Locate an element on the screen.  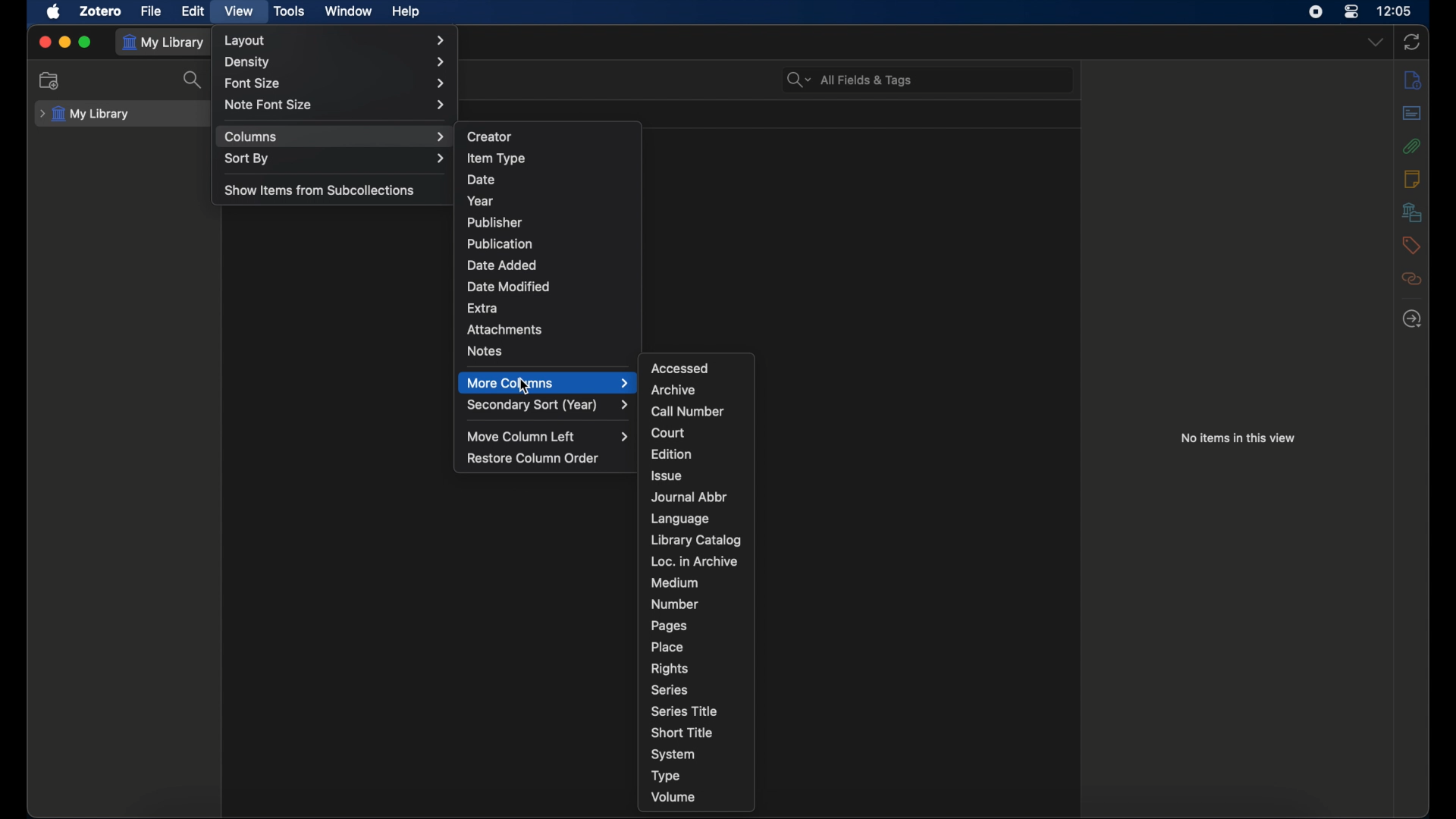
columns is located at coordinates (336, 136).